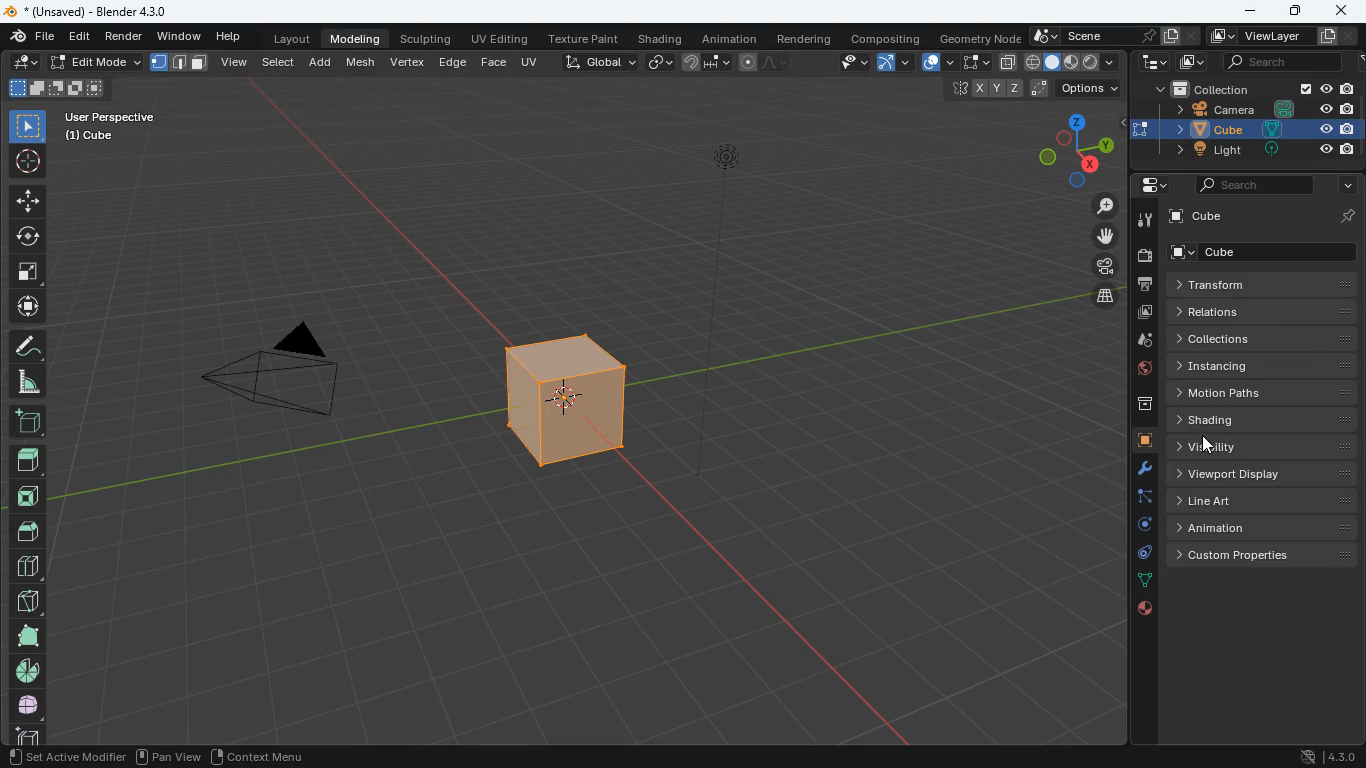 The image size is (1366, 768). I want to click on pie, so click(27, 673).